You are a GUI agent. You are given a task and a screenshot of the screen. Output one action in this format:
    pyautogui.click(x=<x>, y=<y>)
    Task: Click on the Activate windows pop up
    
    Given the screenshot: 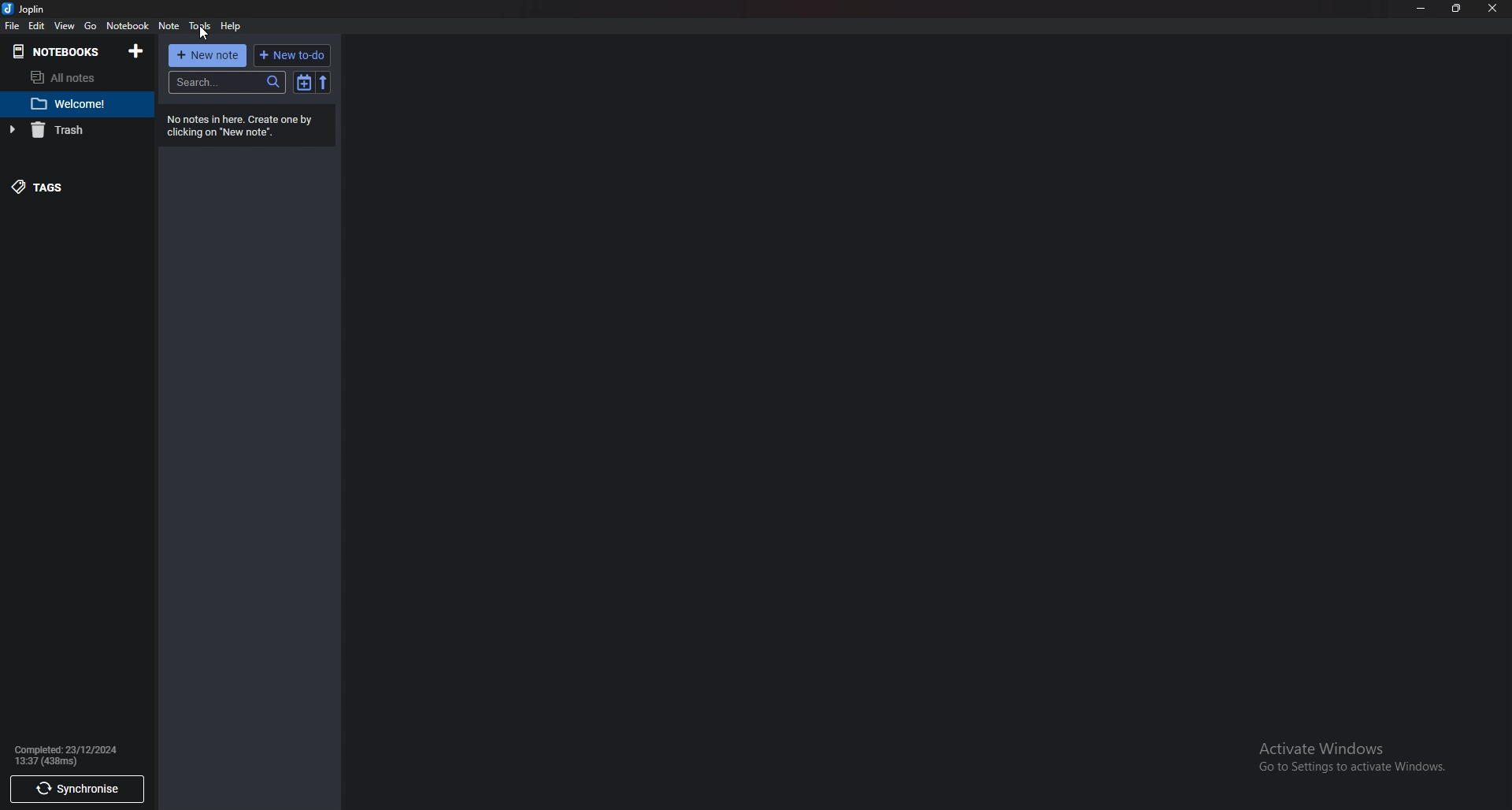 What is the action you would take?
    pyautogui.click(x=1358, y=759)
    